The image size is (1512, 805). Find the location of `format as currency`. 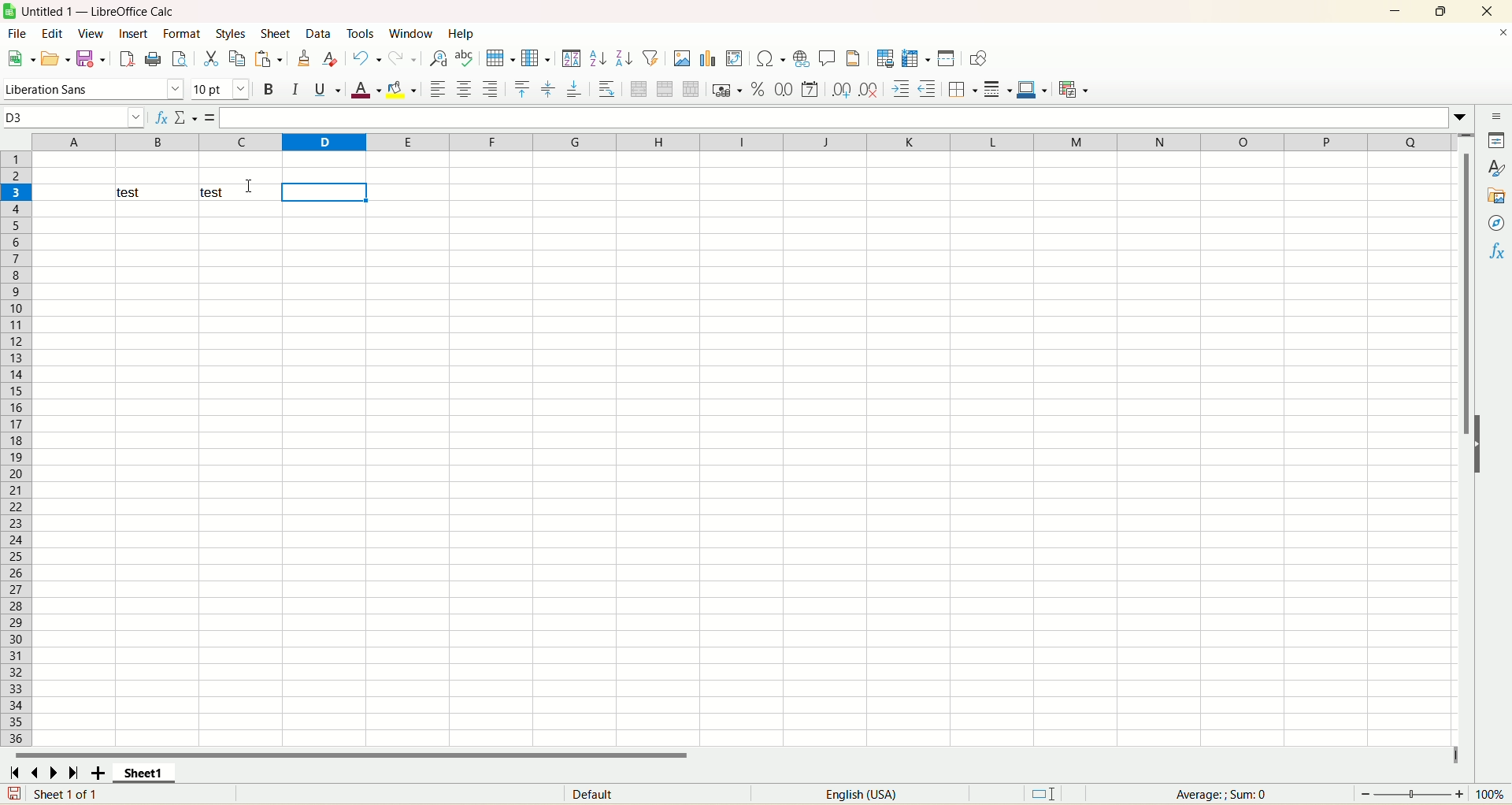

format as currency is located at coordinates (728, 89).